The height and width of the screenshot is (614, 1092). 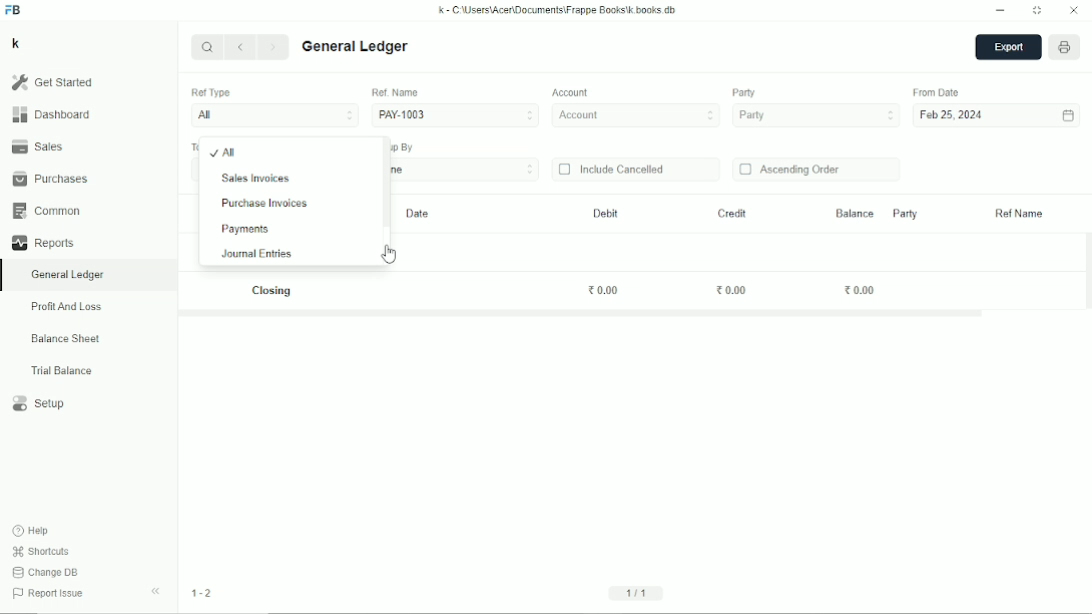 I want to click on Export, so click(x=1008, y=48).